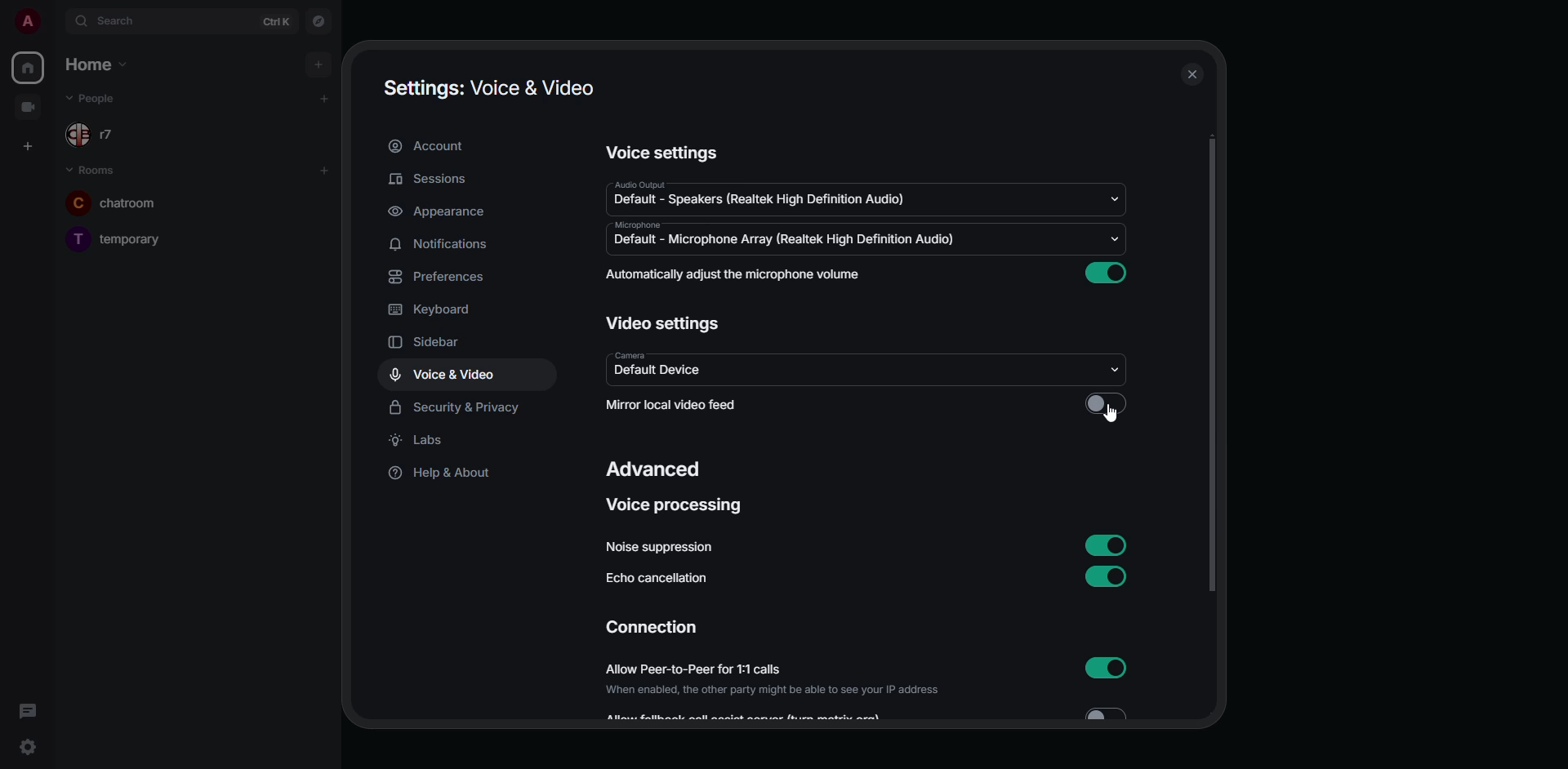  I want to click on default, so click(782, 240).